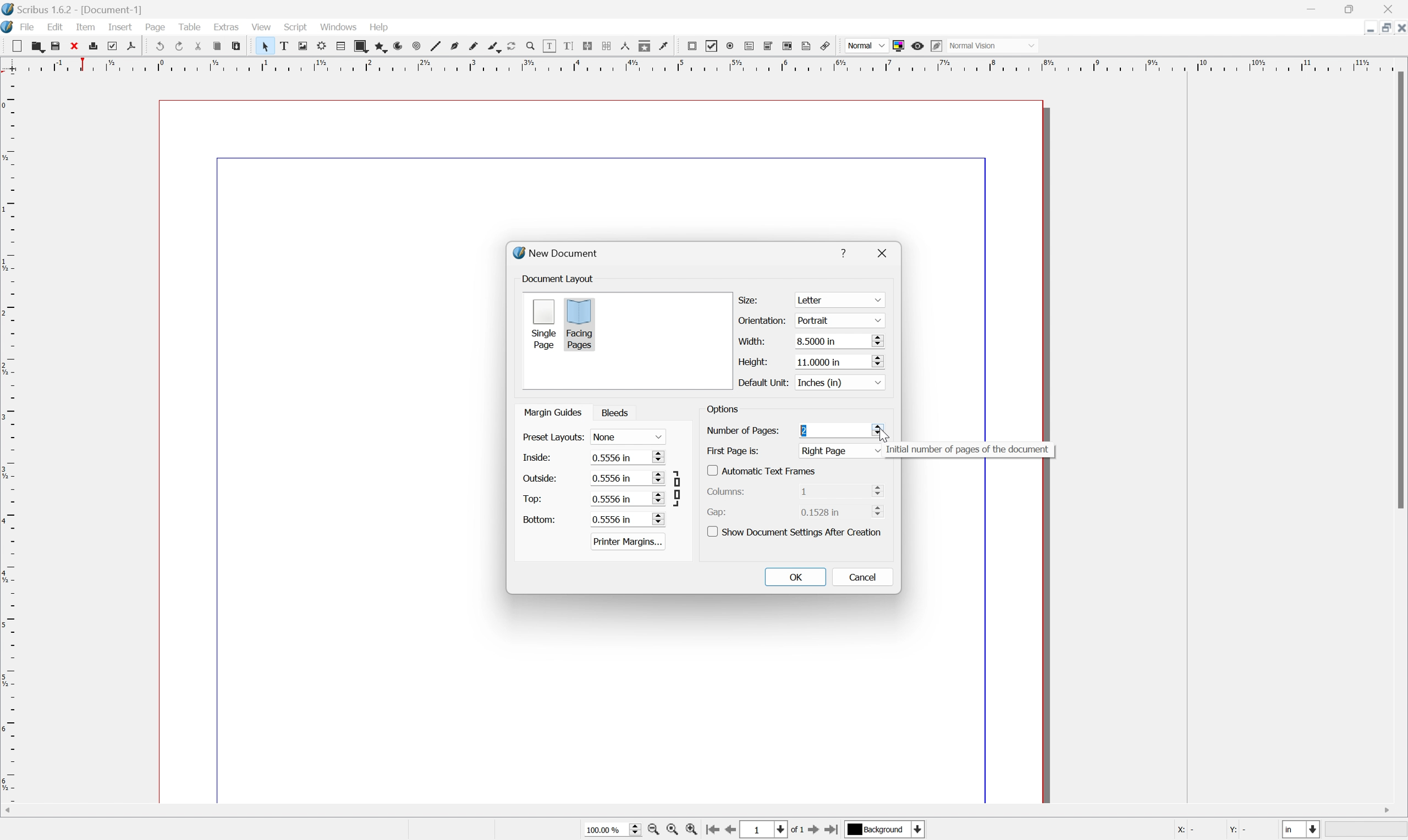 Image resolution: width=1408 pixels, height=840 pixels. What do you see at coordinates (396, 46) in the screenshot?
I see `Arc` at bounding box center [396, 46].